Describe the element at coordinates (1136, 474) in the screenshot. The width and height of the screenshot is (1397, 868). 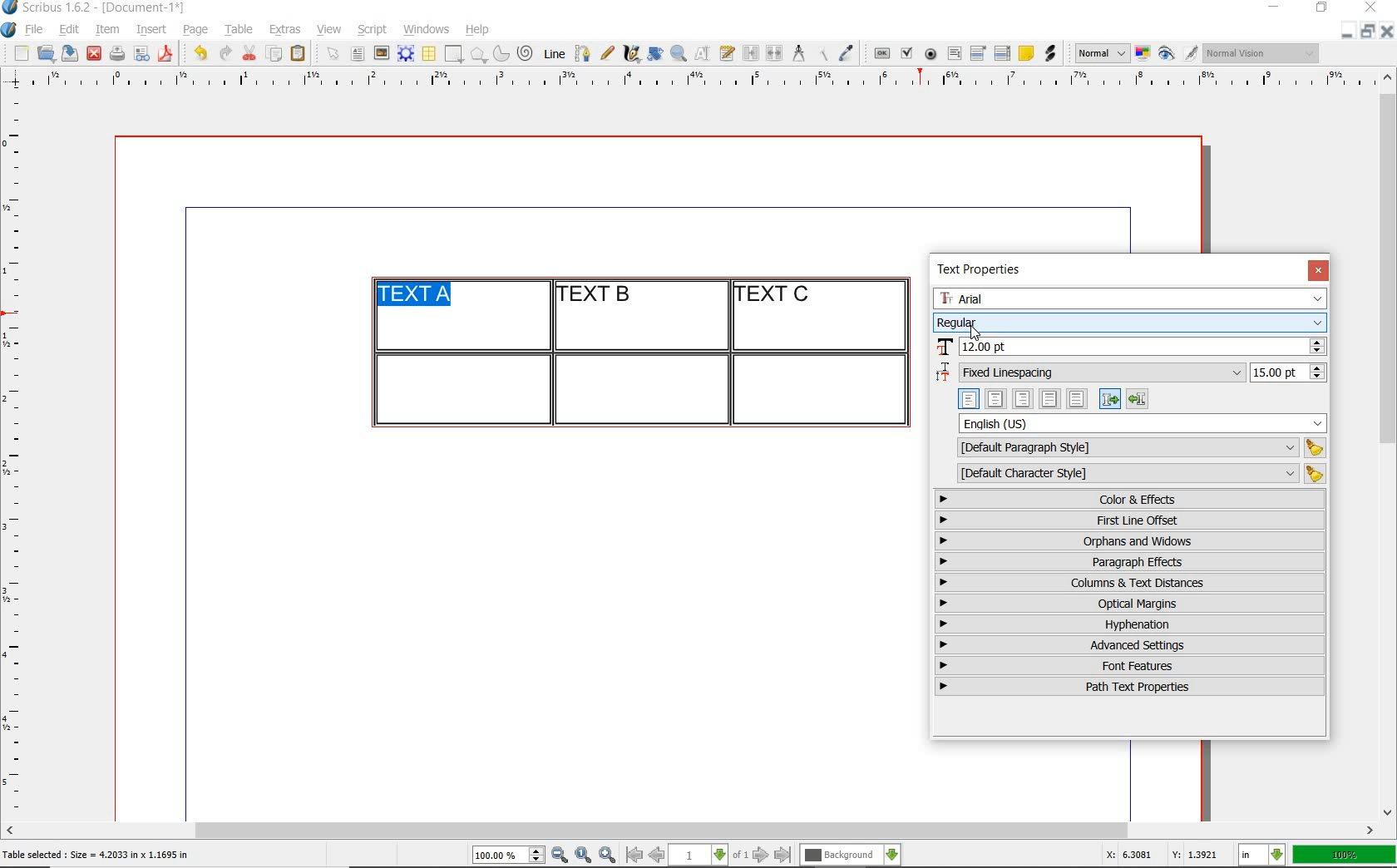
I see `default character style` at that location.